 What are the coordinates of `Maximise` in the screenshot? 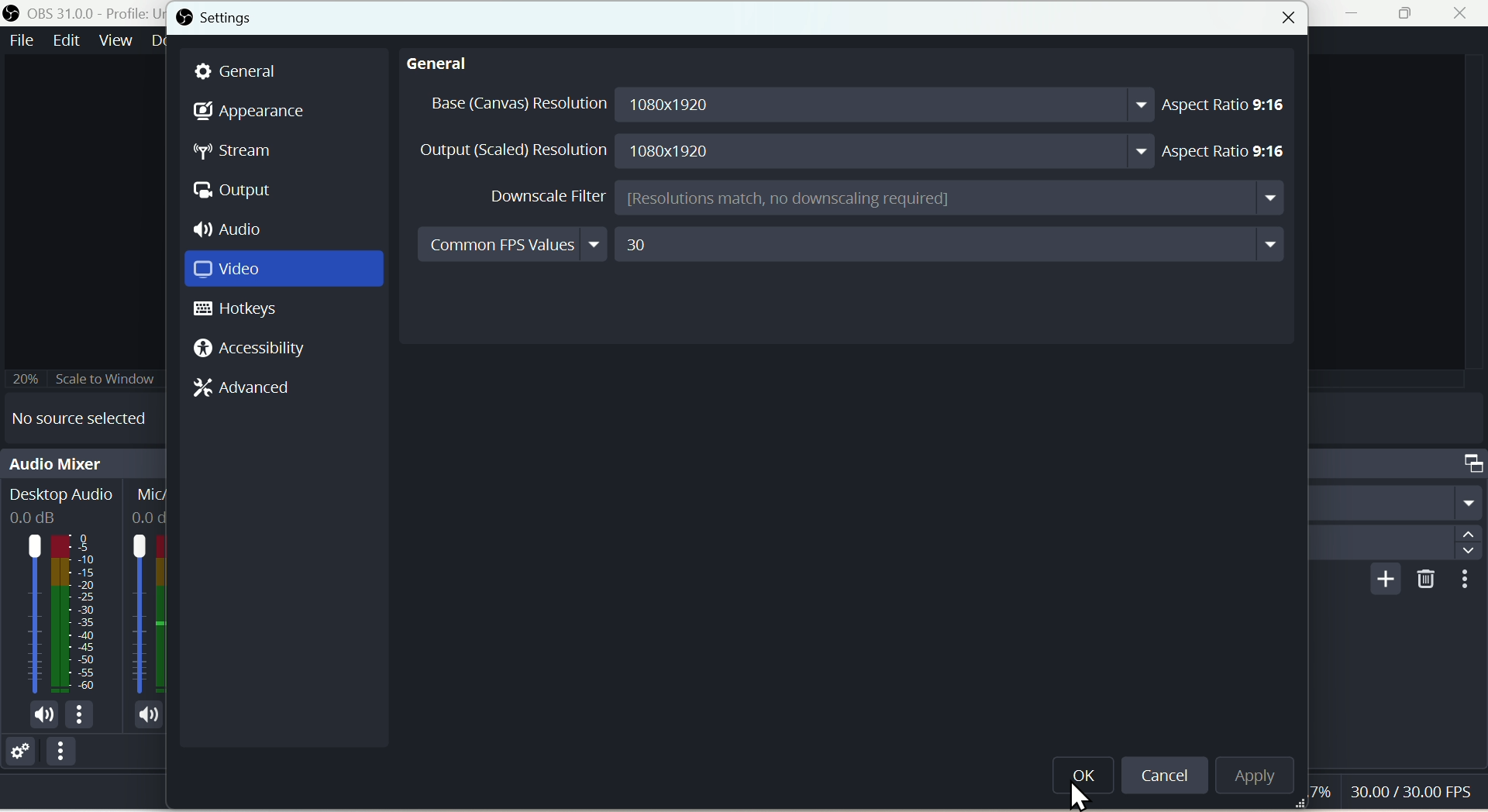 It's located at (1410, 15).